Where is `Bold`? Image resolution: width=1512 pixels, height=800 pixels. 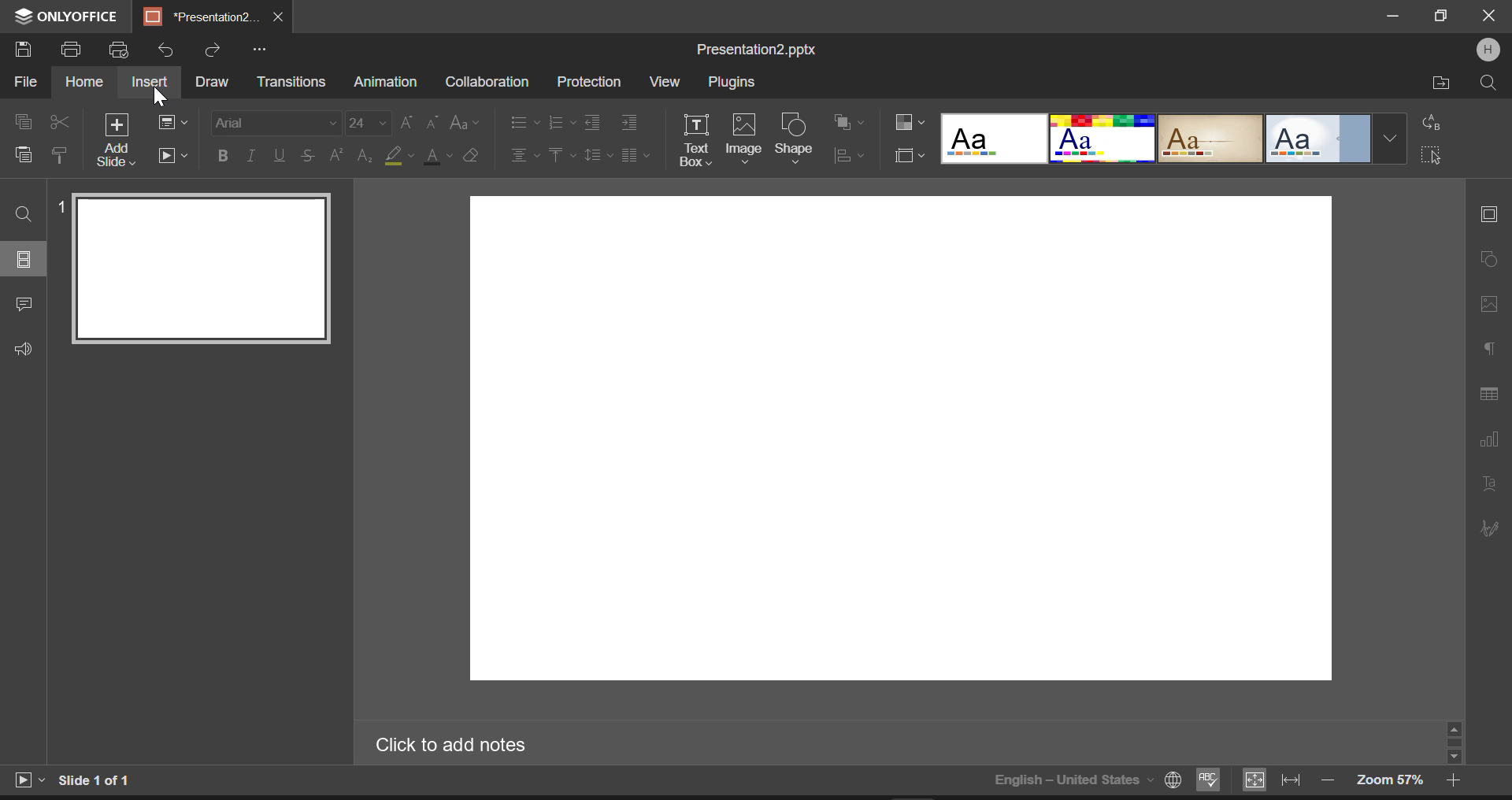
Bold is located at coordinates (222, 155).